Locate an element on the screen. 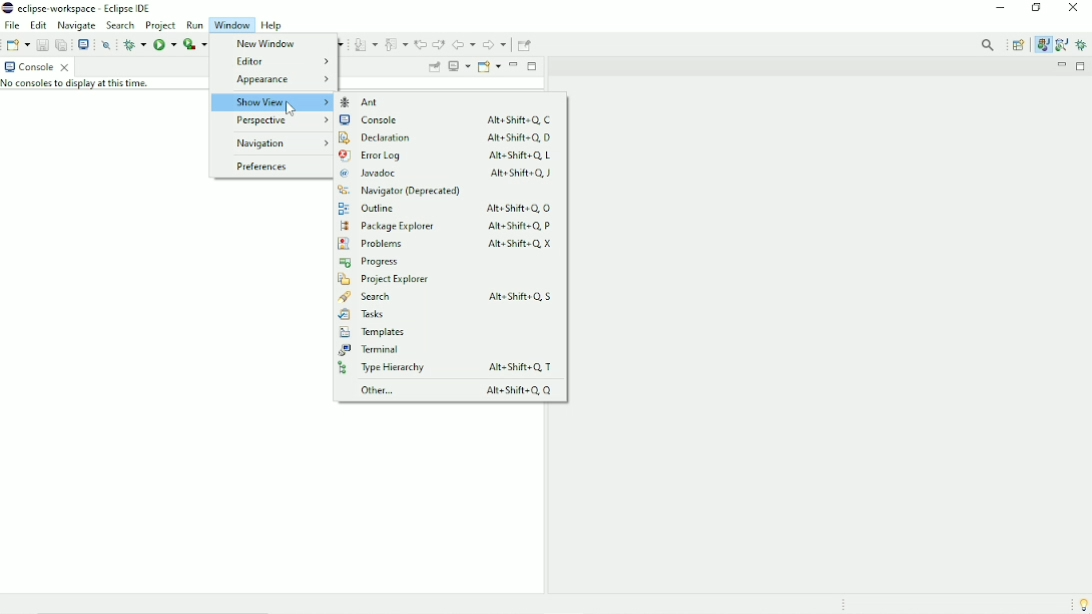 The width and height of the screenshot is (1092, 614). No consoles to display at this time. is located at coordinates (83, 86).